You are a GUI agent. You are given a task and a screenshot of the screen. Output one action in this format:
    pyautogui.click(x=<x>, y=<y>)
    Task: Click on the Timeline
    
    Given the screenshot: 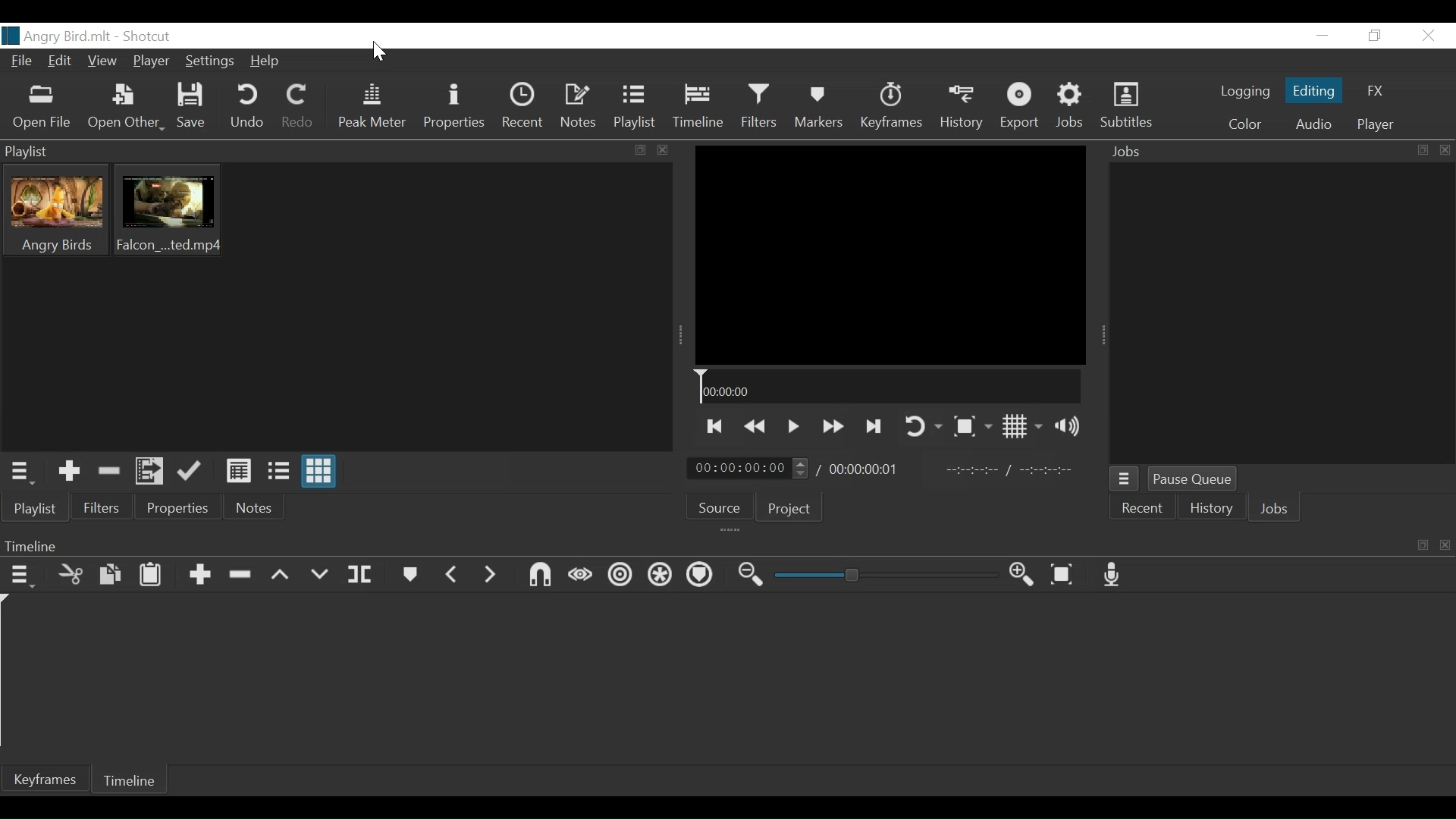 What is the action you would take?
    pyautogui.click(x=698, y=108)
    